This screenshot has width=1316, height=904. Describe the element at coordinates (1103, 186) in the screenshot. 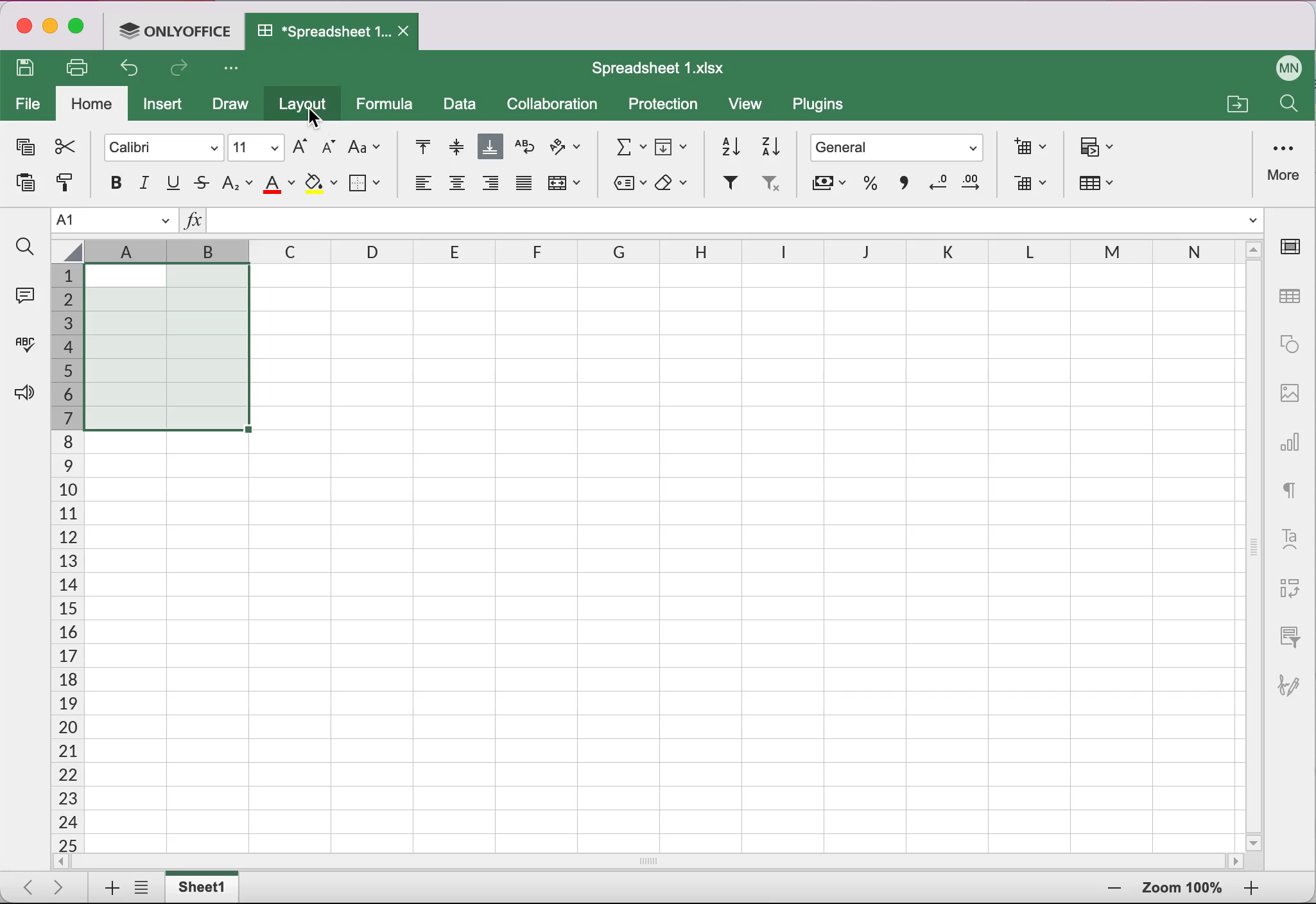

I see `format as table template` at that location.